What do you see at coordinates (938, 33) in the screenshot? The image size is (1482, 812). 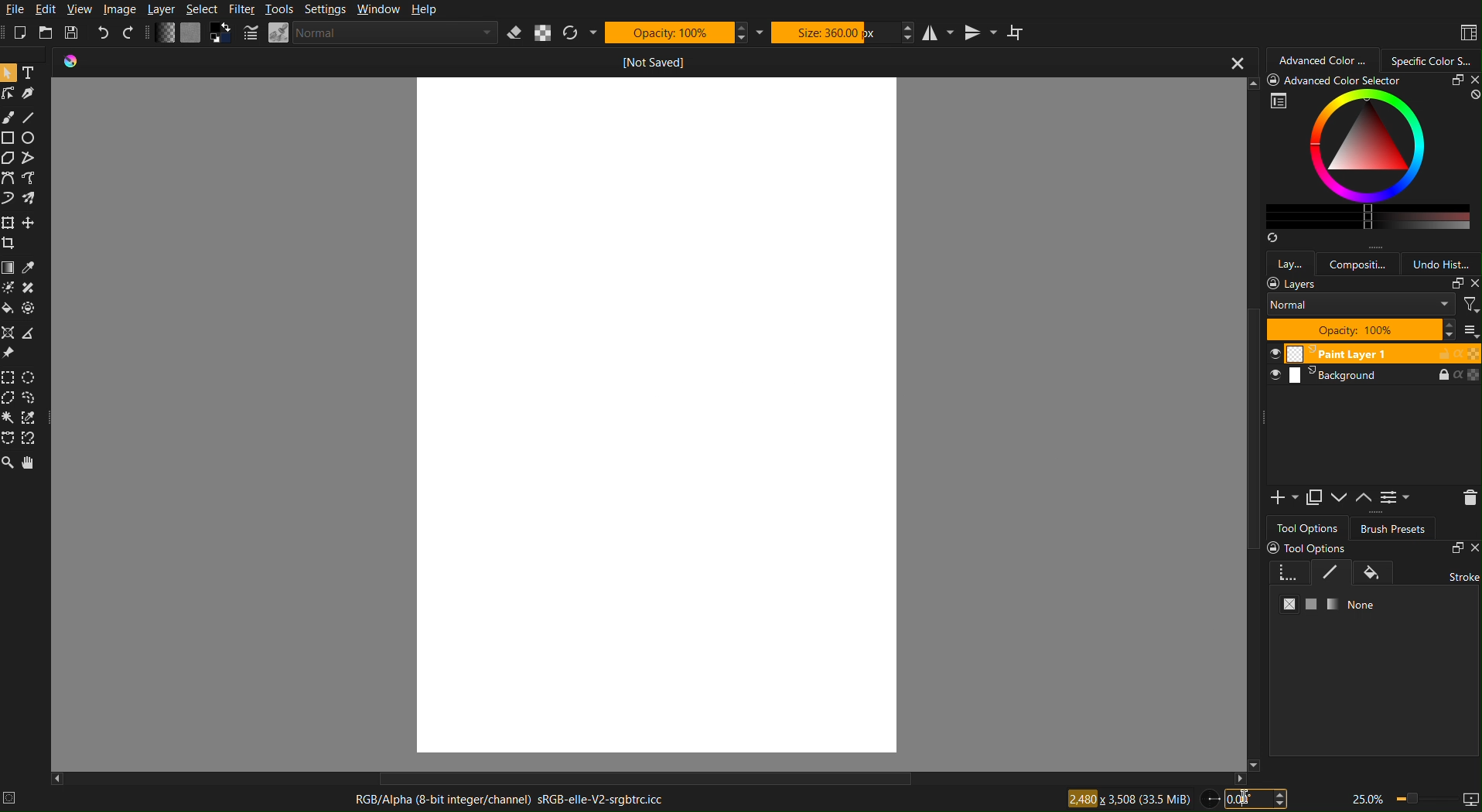 I see `Horizontal Mirror` at bounding box center [938, 33].